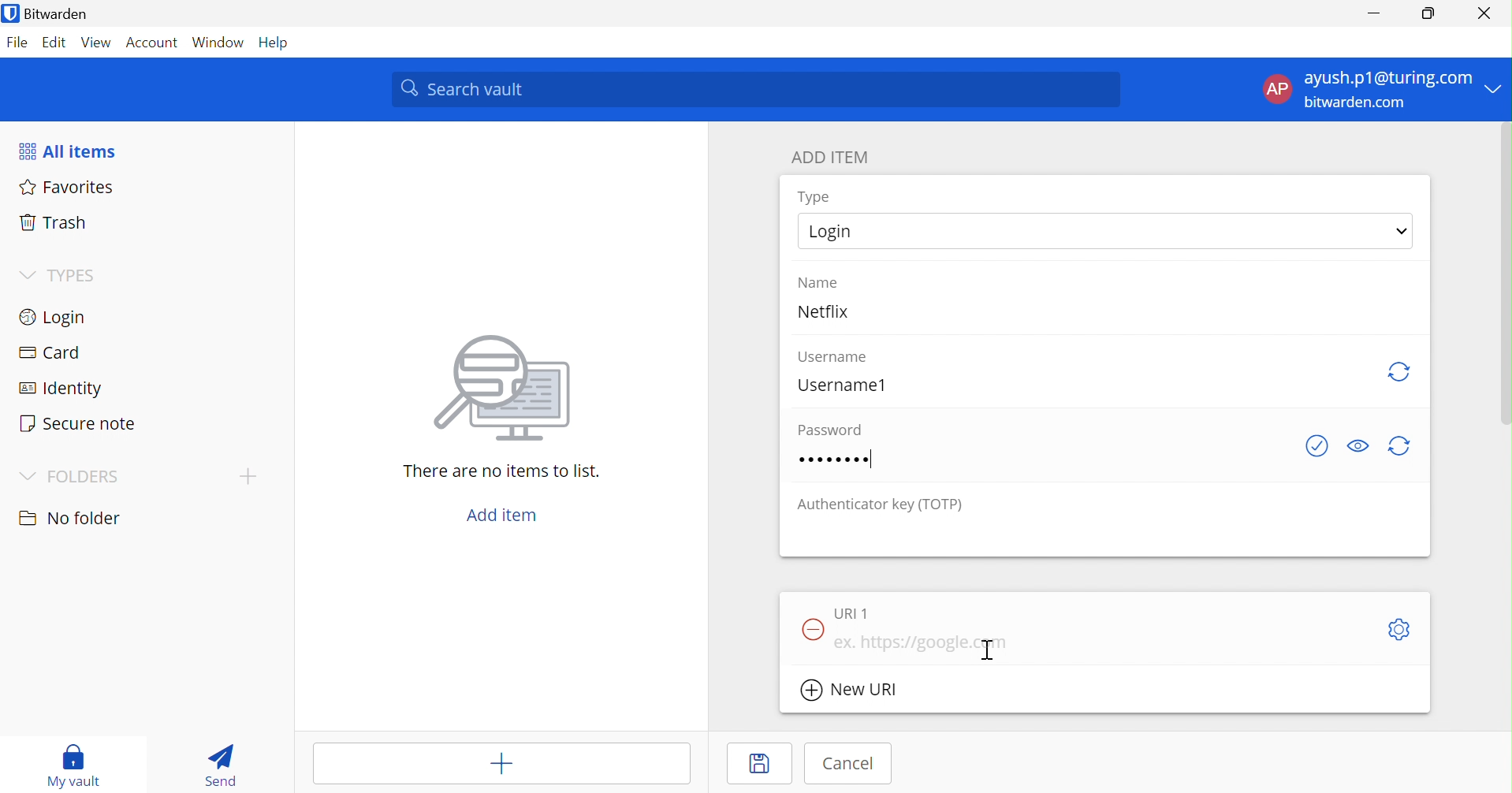  What do you see at coordinates (987, 649) in the screenshot?
I see `Cursor` at bounding box center [987, 649].